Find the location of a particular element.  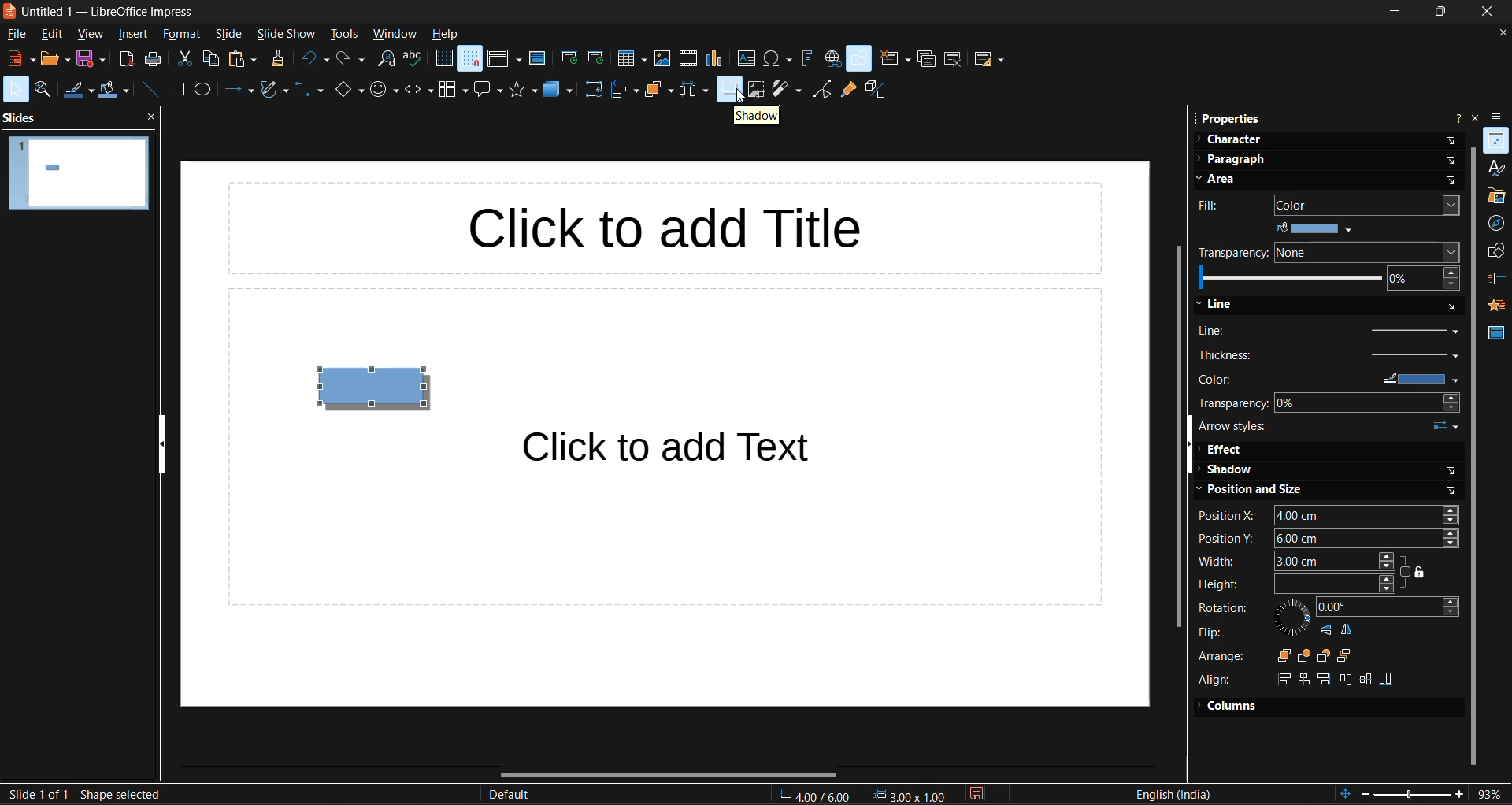

Click to add Text is located at coordinates (699, 448).